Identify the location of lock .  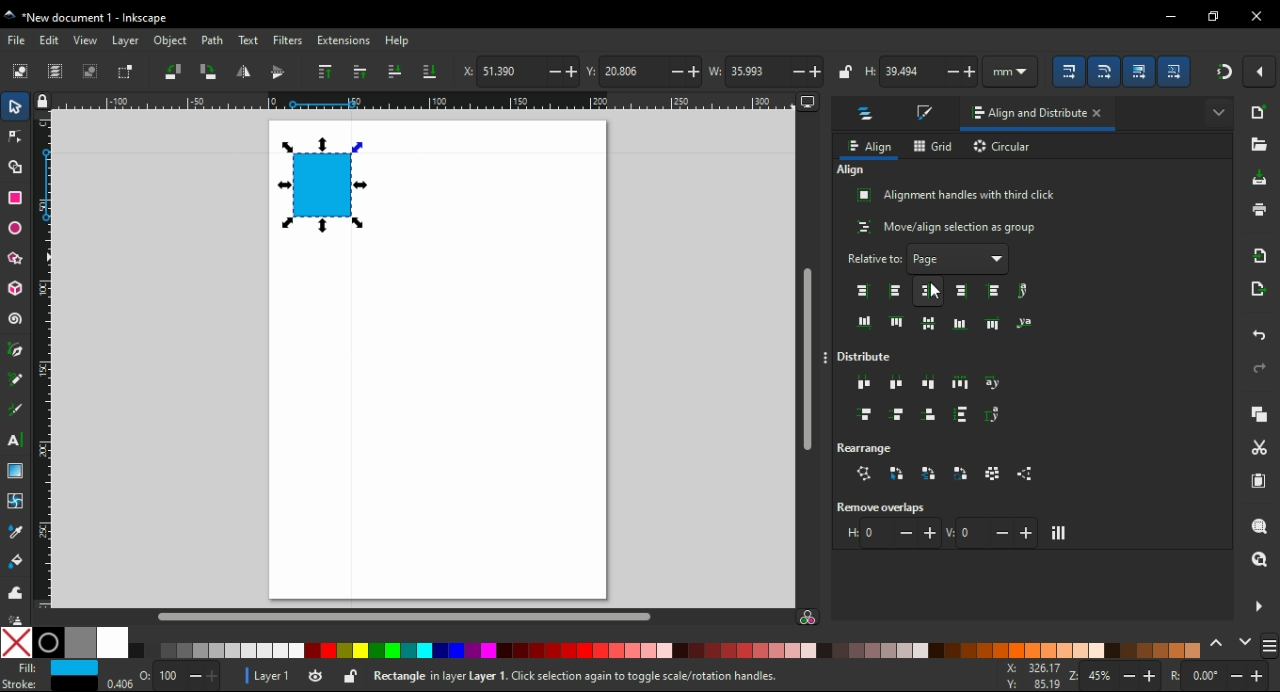
(846, 71).